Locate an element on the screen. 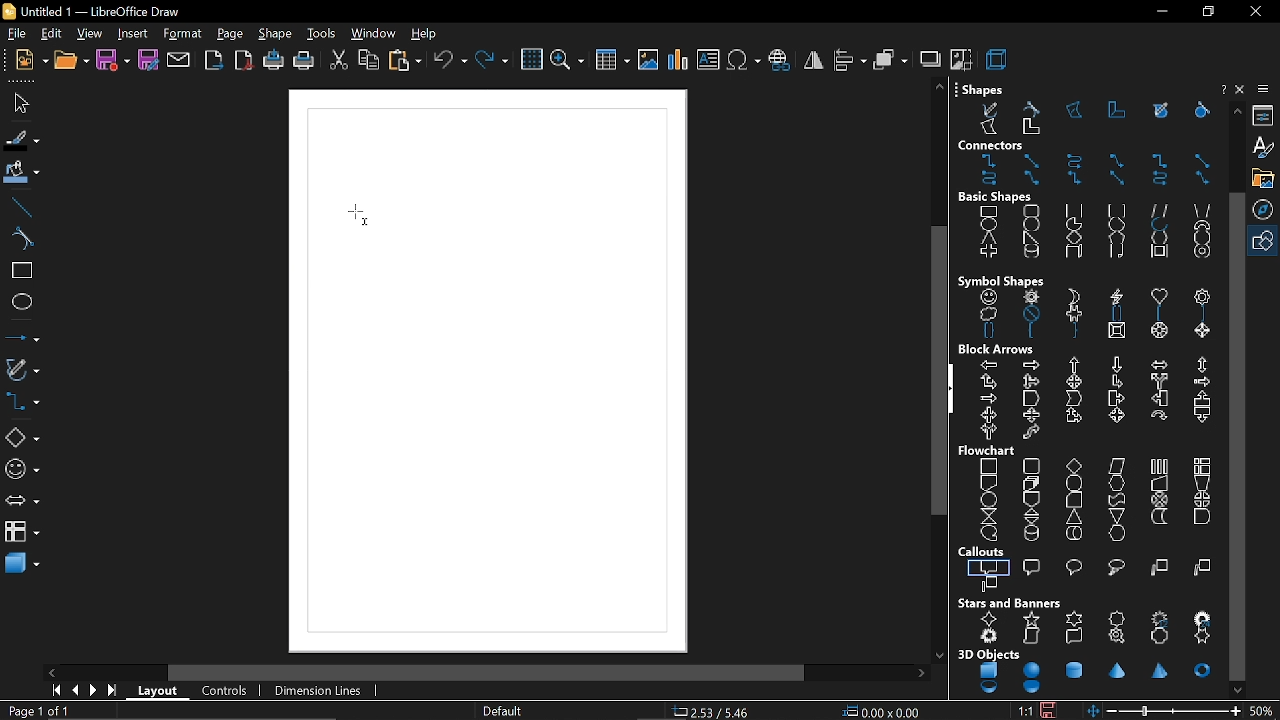  pentagon is located at coordinates (1116, 238).